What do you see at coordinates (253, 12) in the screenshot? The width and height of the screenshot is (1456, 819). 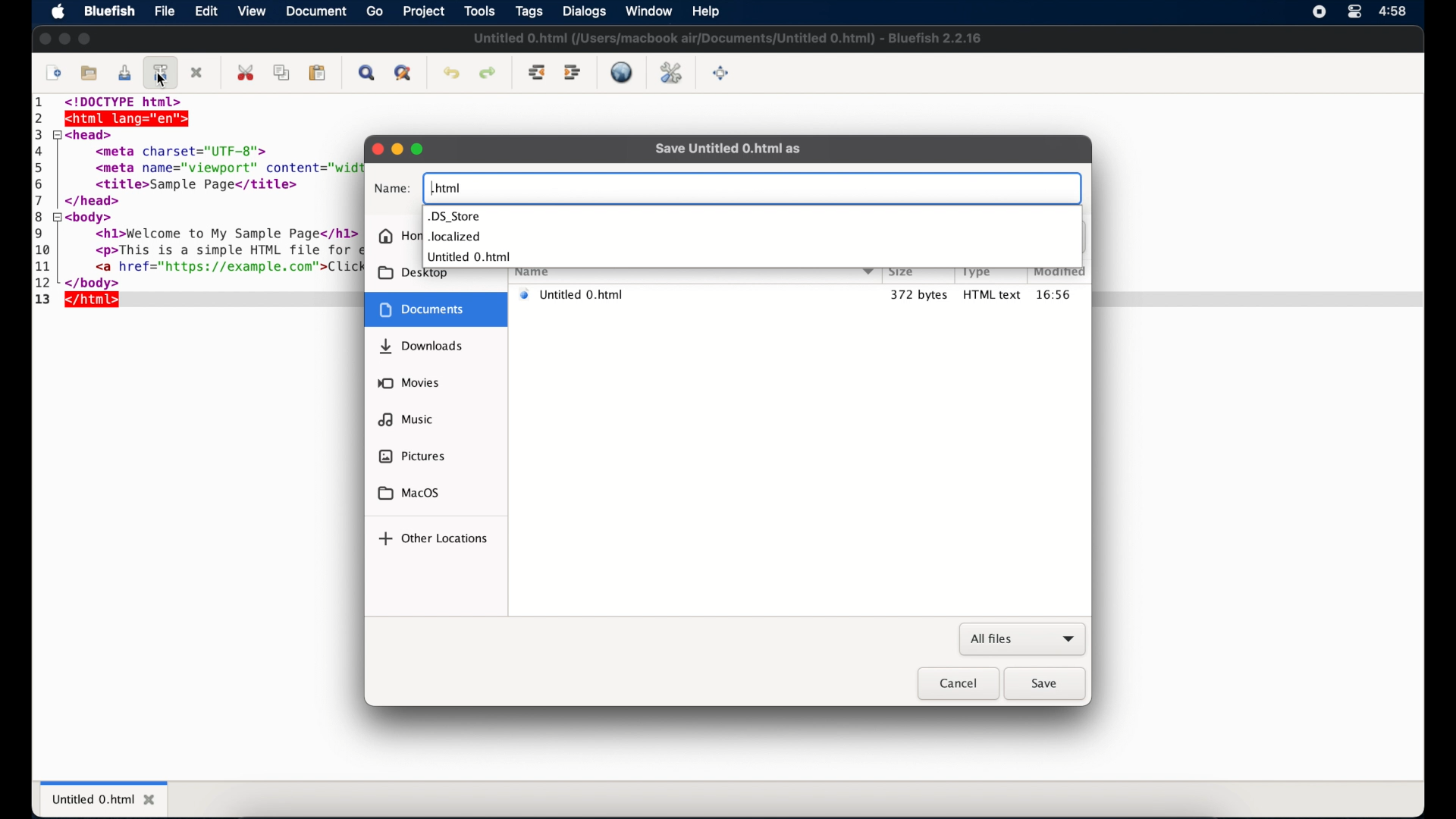 I see `view` at bounding box center [253, 12].